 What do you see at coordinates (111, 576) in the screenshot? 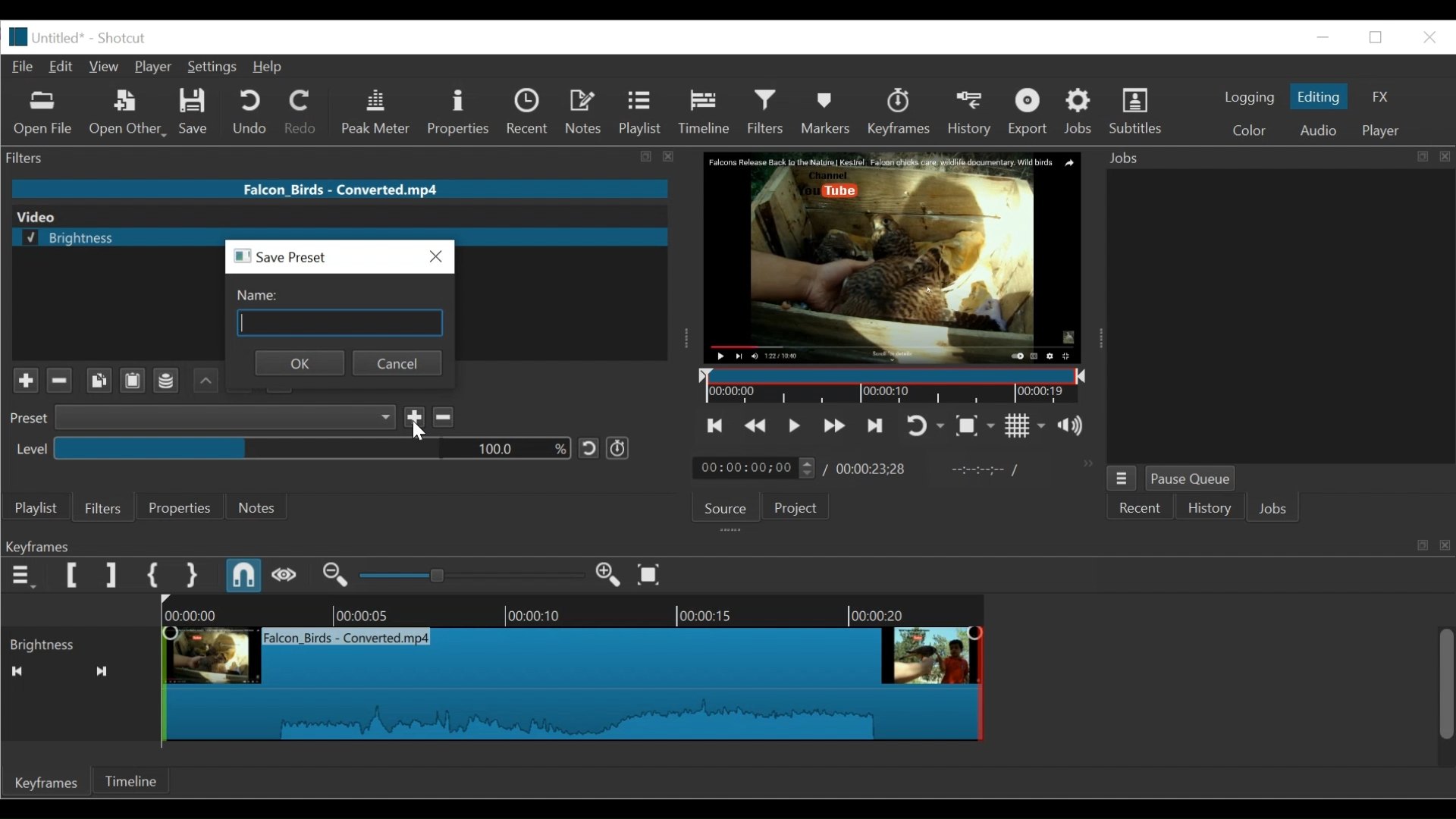
I see `Set Filter last` at bounding box center [111, 576].